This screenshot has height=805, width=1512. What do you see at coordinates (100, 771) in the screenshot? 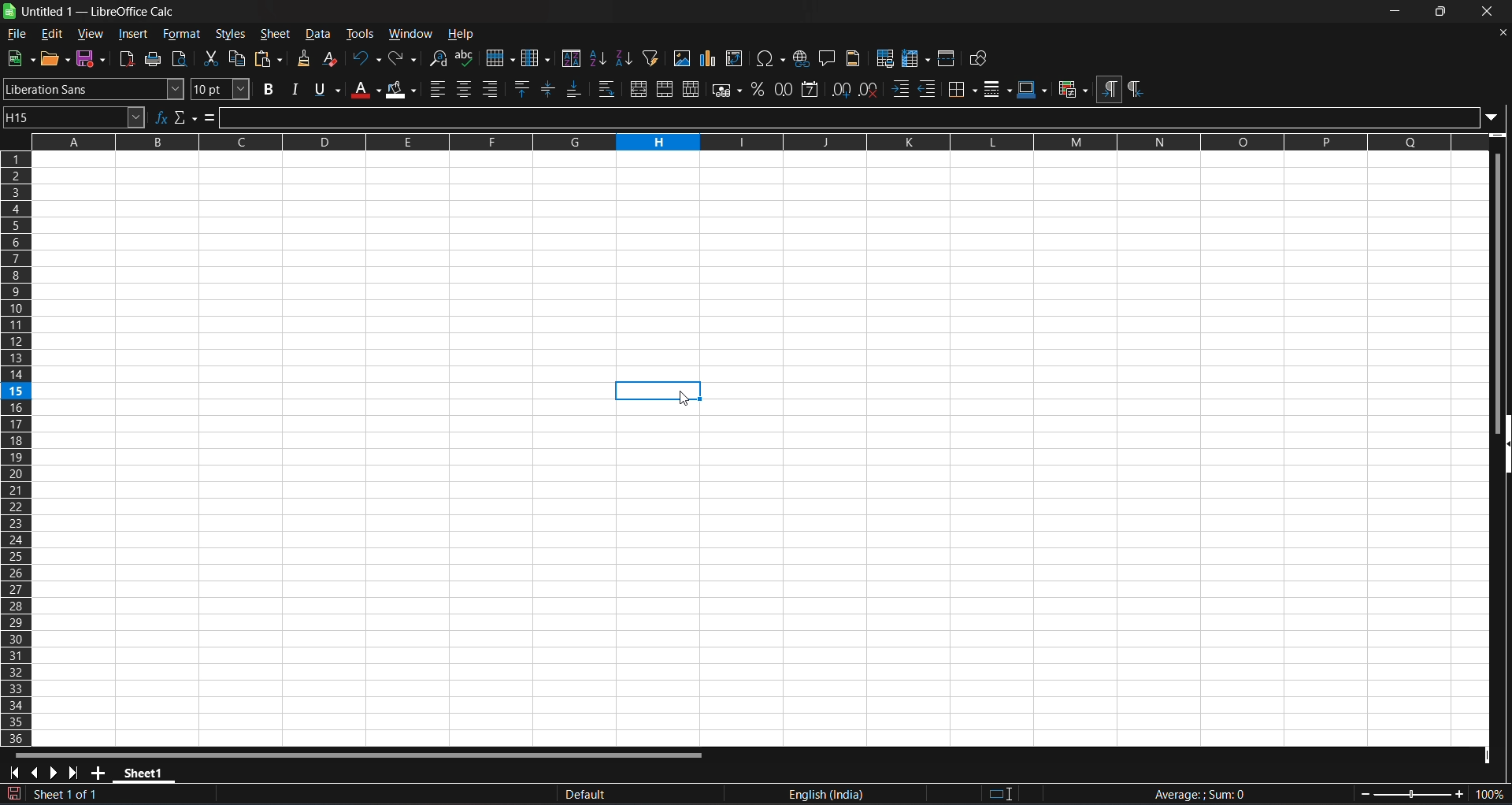
I see `add new sheet` at bounding box center [100, 771].